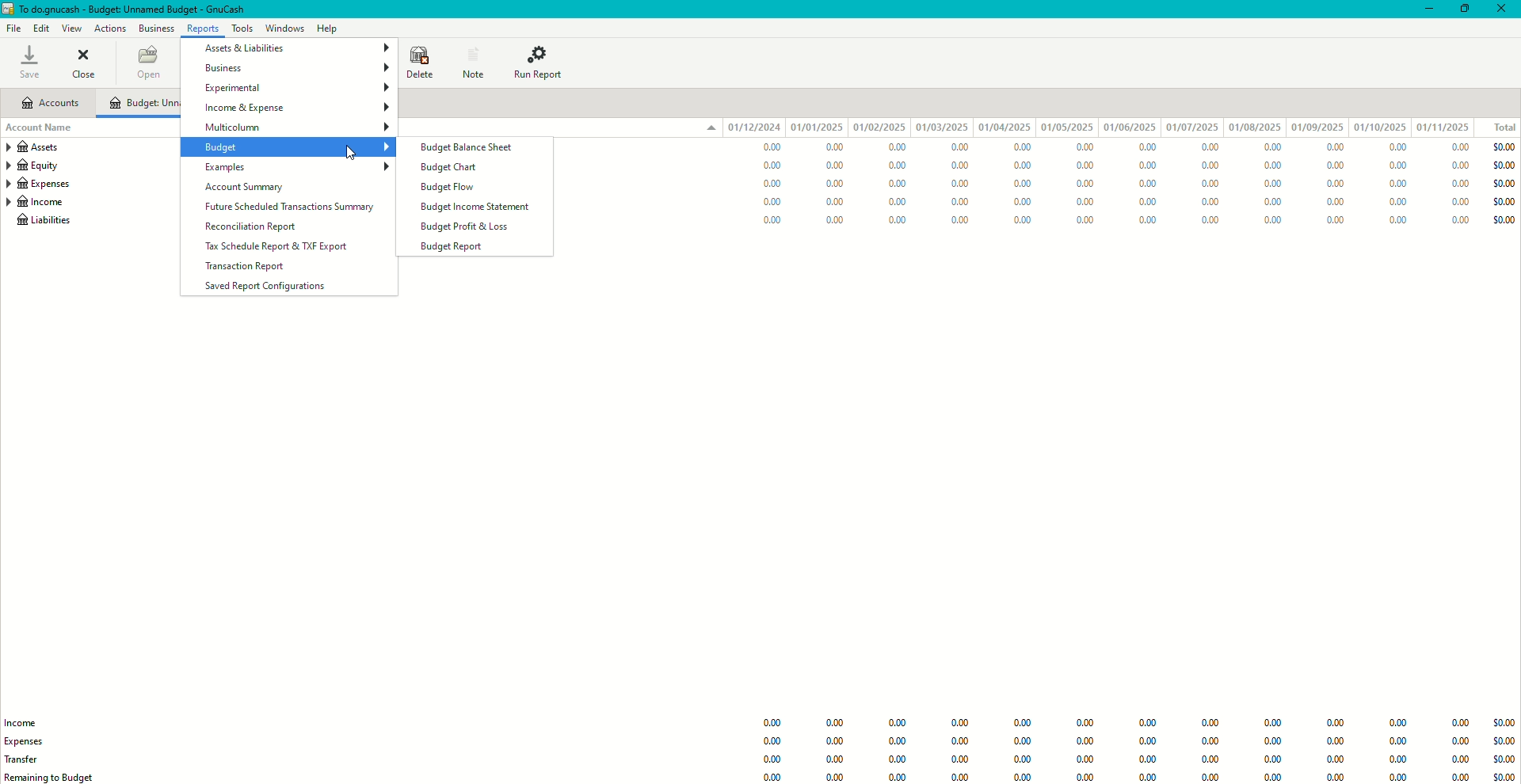 This screenshot has width=1521, height=784. Describe the element at coordinates (287, 28) in the screenshot. I see `Windows` at that location.